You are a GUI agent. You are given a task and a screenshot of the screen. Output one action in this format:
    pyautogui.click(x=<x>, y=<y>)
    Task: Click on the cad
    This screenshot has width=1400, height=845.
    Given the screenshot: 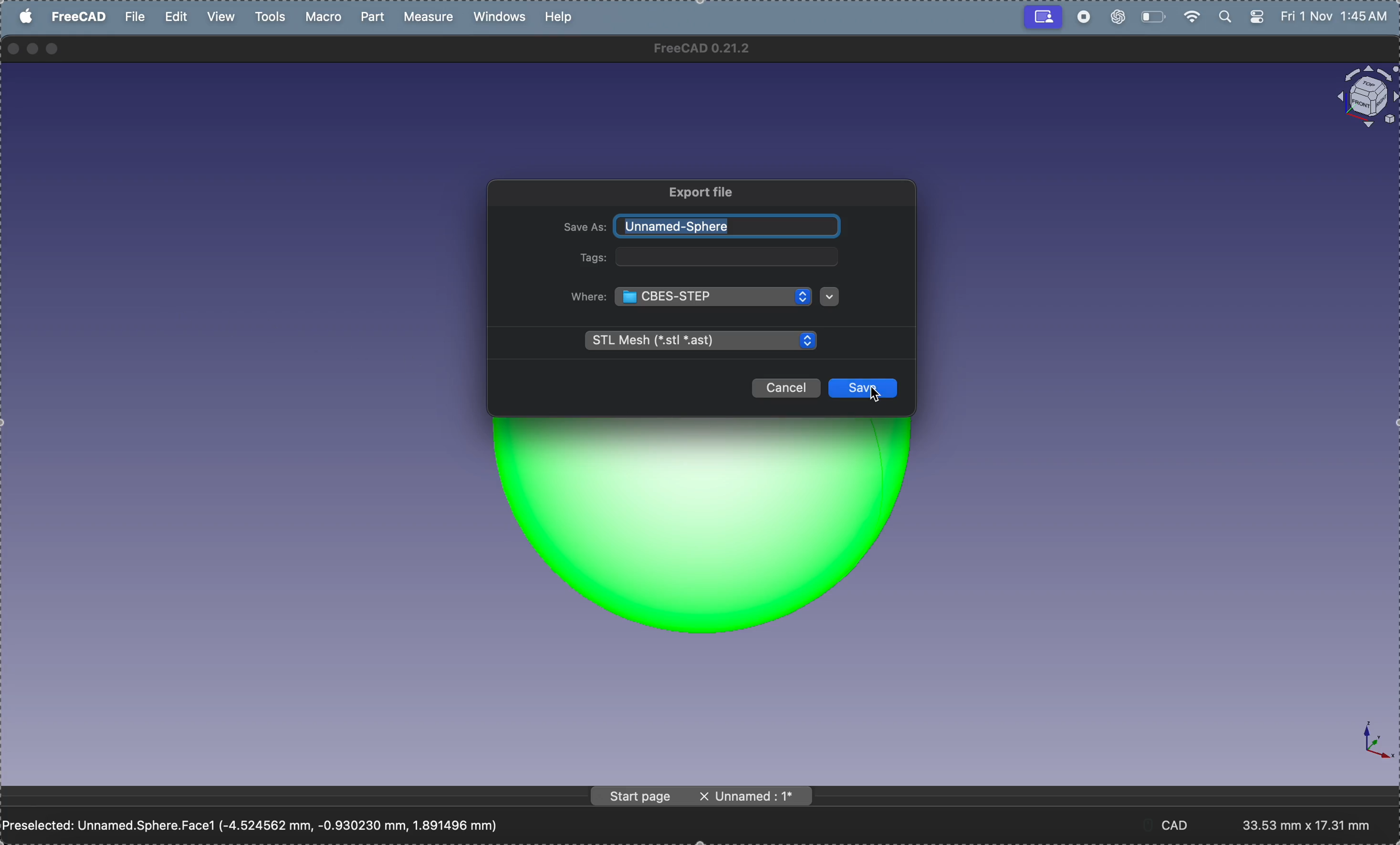 What is the action you would take?
    pyautogui.click(x=1182, y=825)
    